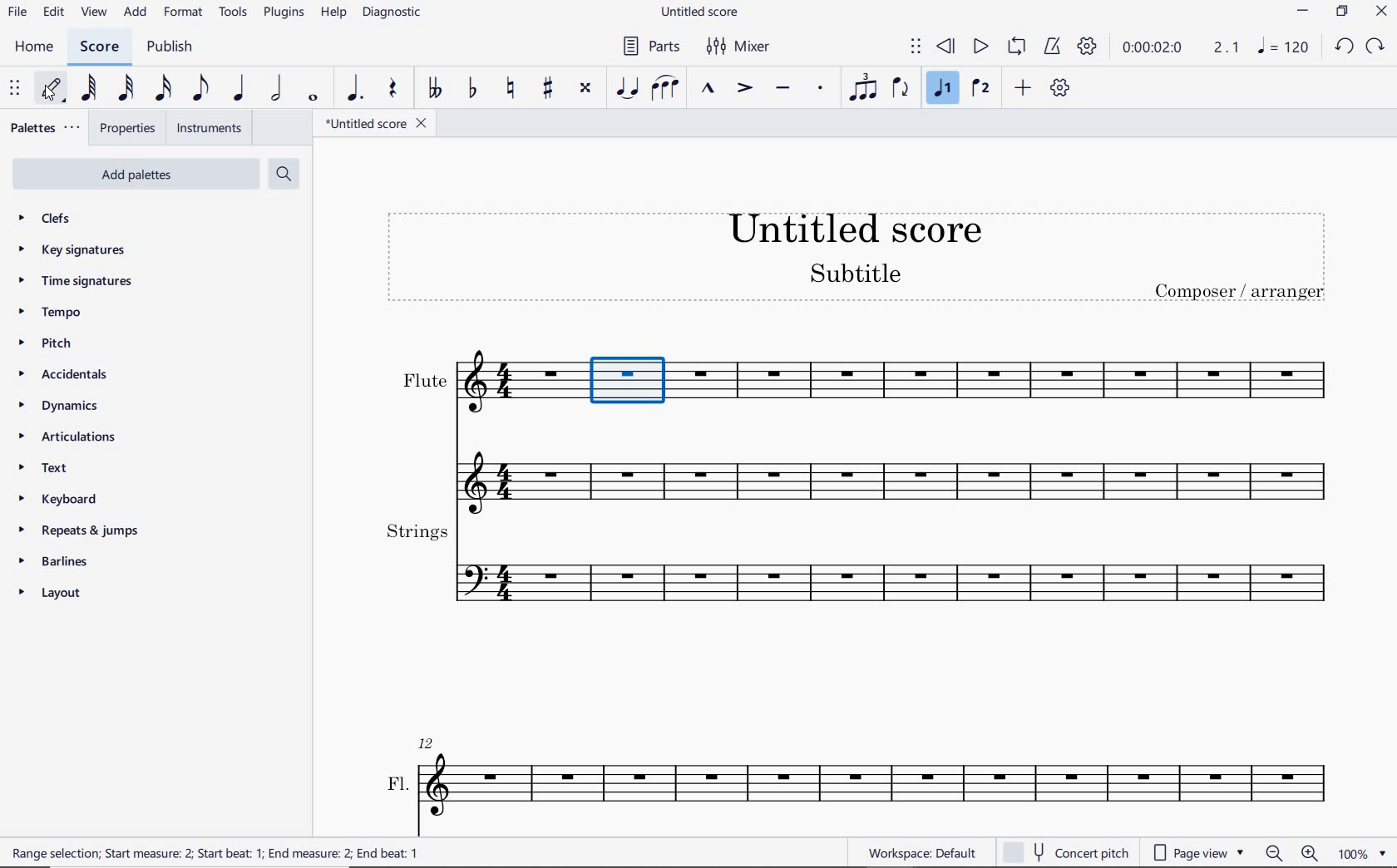  What do you see at coordinates (134, 174) in the screenshot?
I see `add palettes` at bounding box center [134, 174].